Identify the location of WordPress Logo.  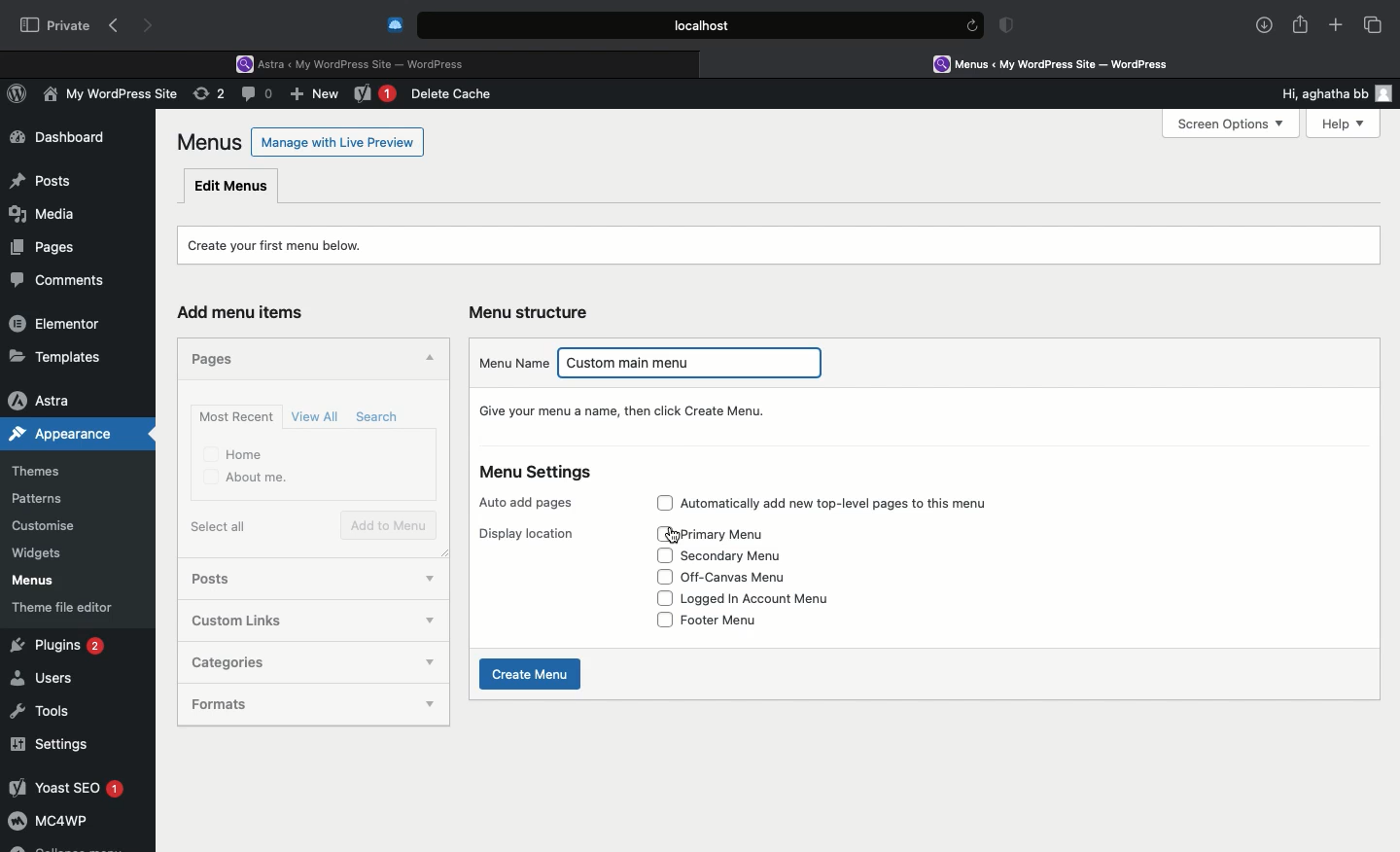
(20, 96).